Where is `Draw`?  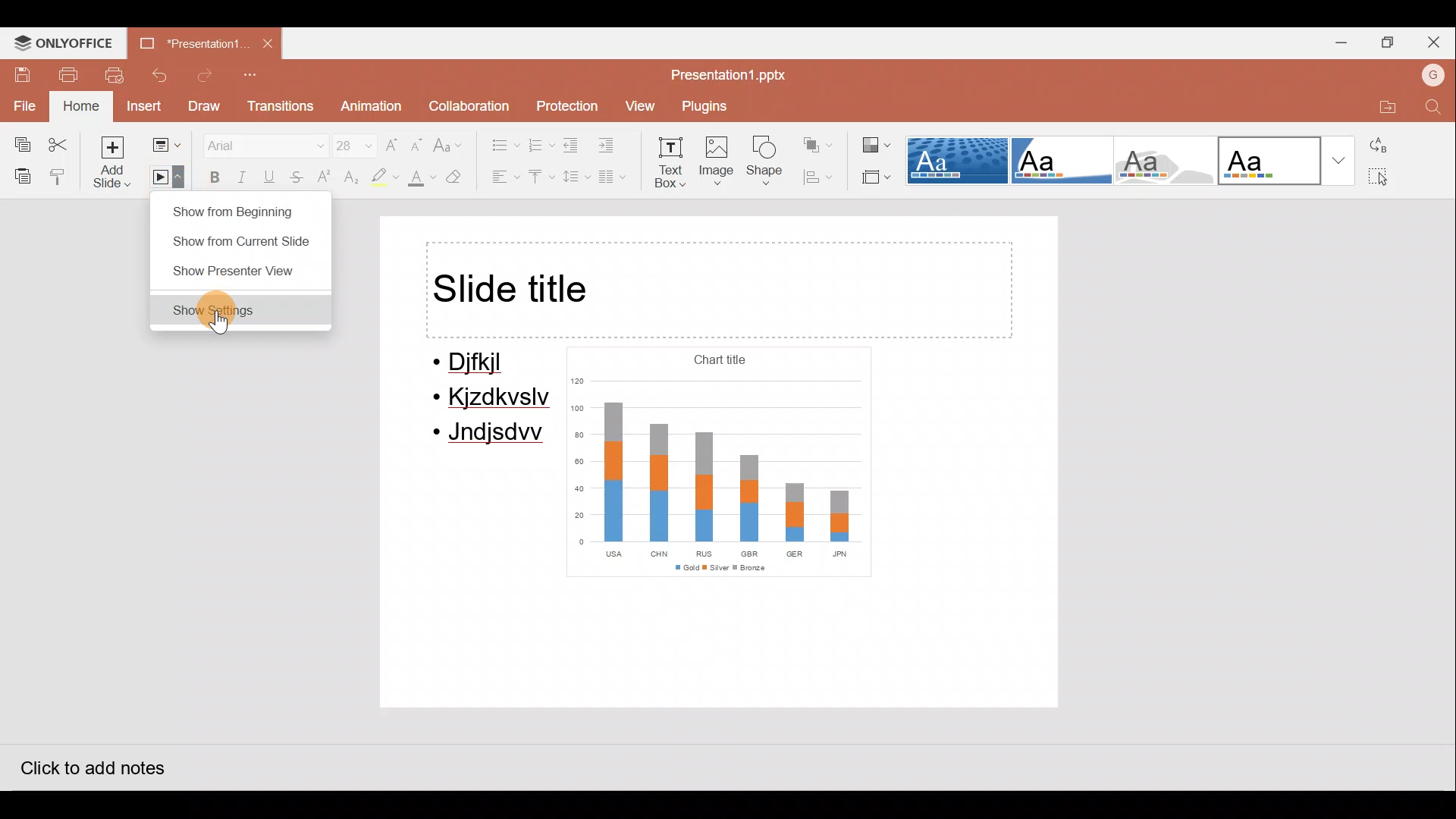
Draw is located at coordinates (203, 111).